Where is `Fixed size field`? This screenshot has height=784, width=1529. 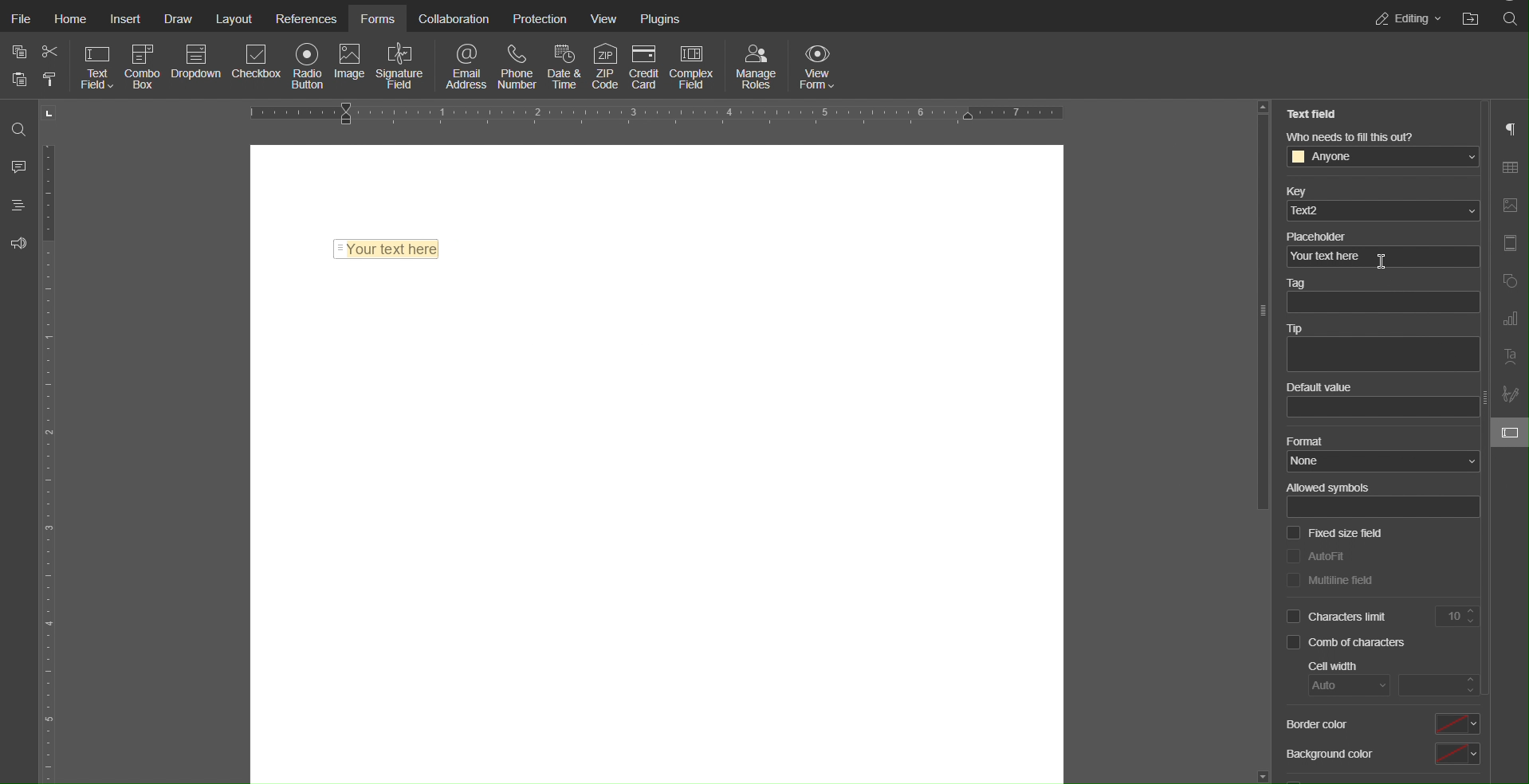
Fixed size field is located at coordinates (1335, 534).